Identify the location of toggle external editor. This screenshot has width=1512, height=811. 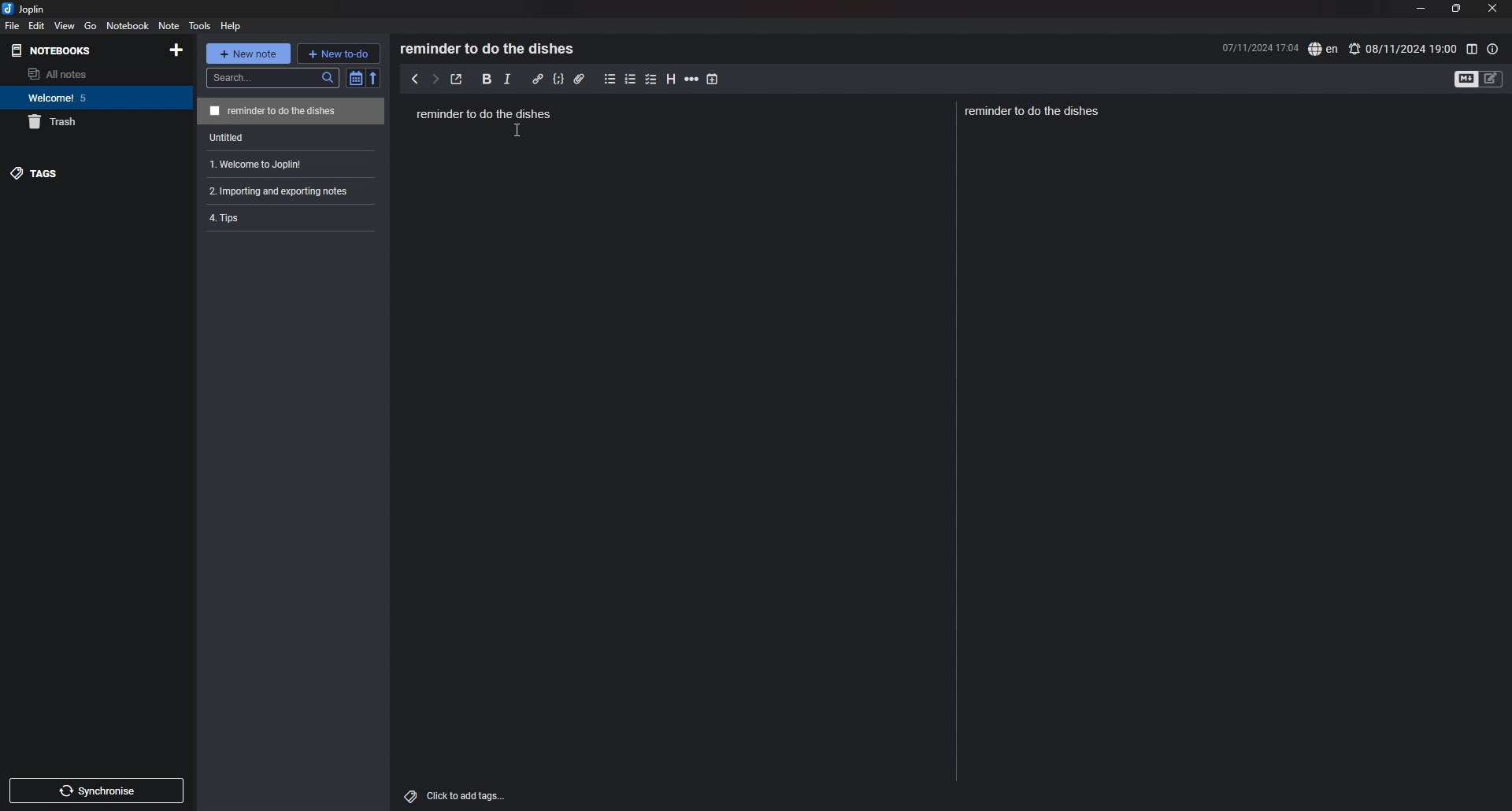
(458, 80).